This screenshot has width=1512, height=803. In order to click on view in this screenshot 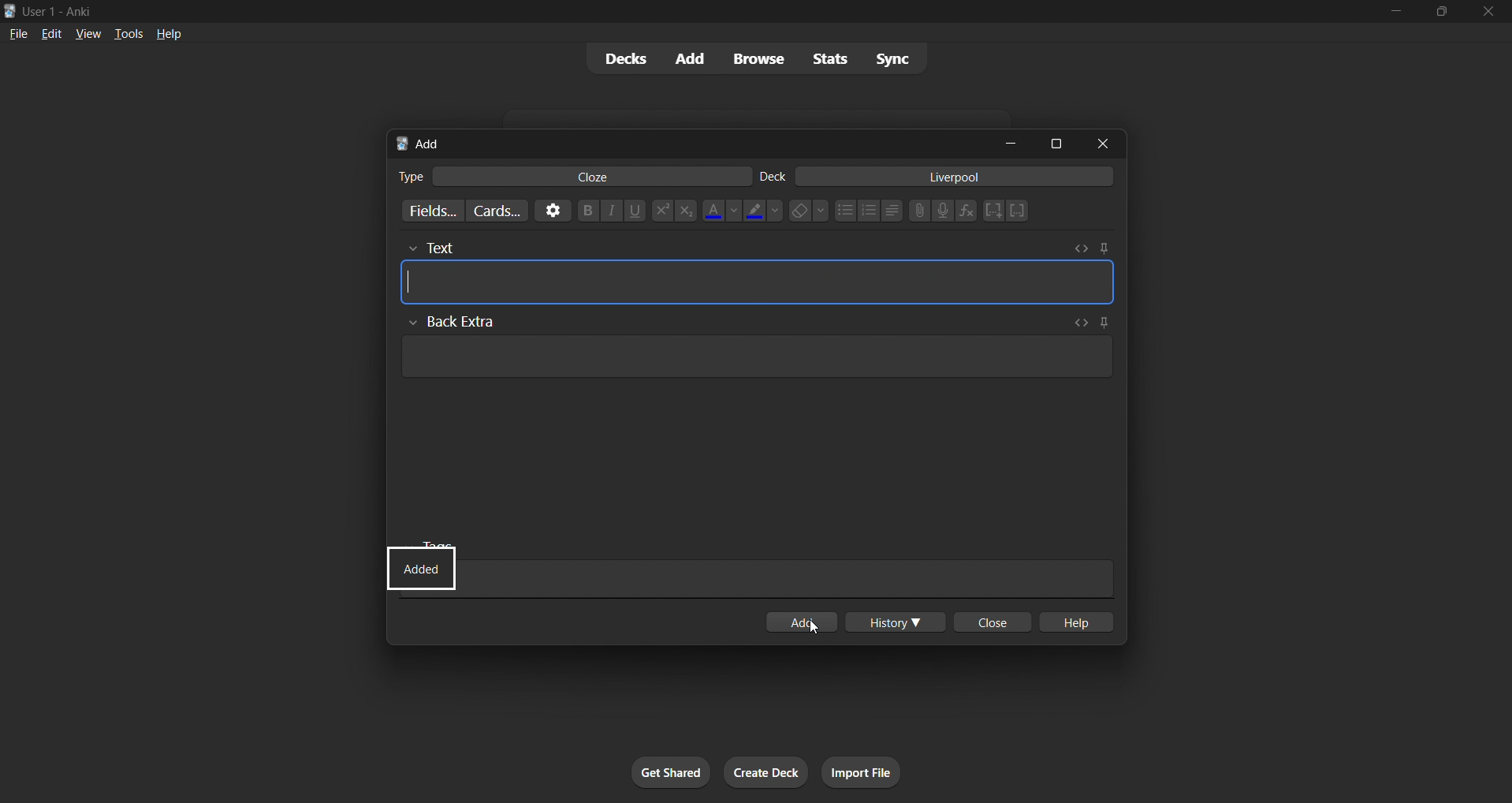, I will do `click(88, 35)`.